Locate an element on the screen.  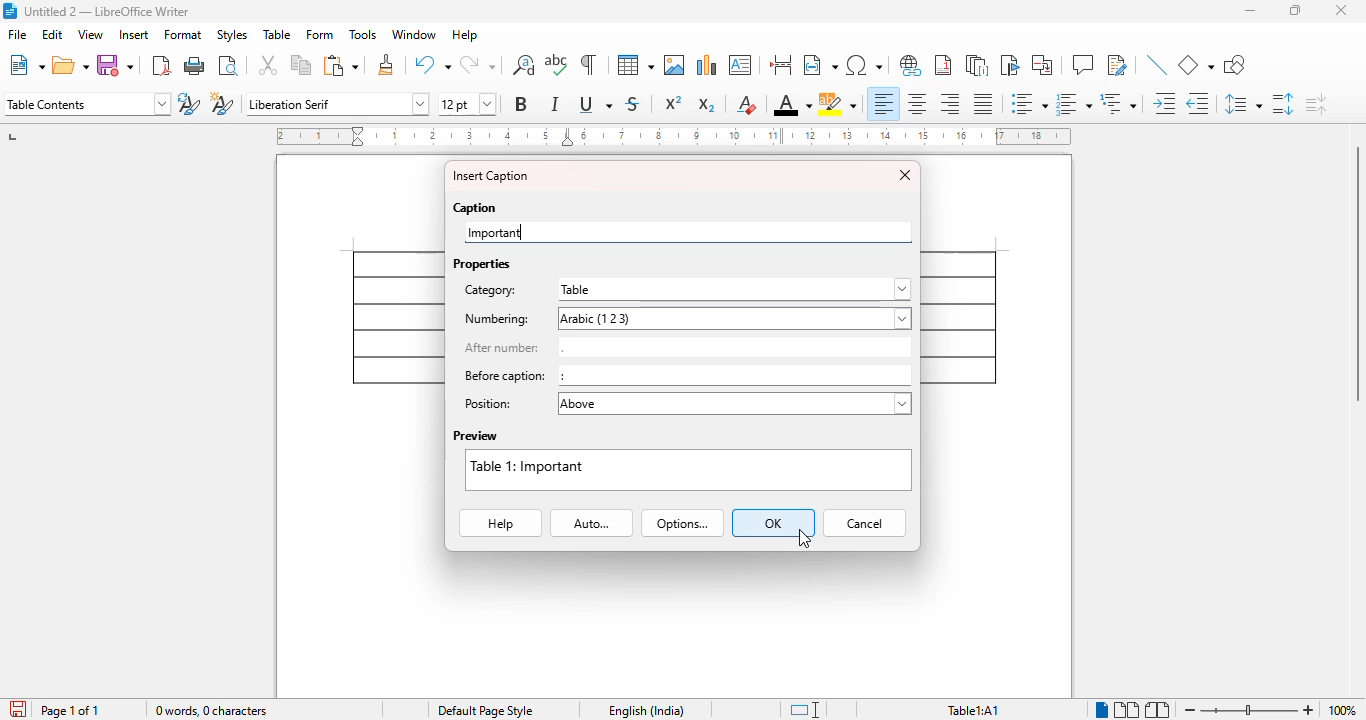
logo is located at coordinates (10, 11).